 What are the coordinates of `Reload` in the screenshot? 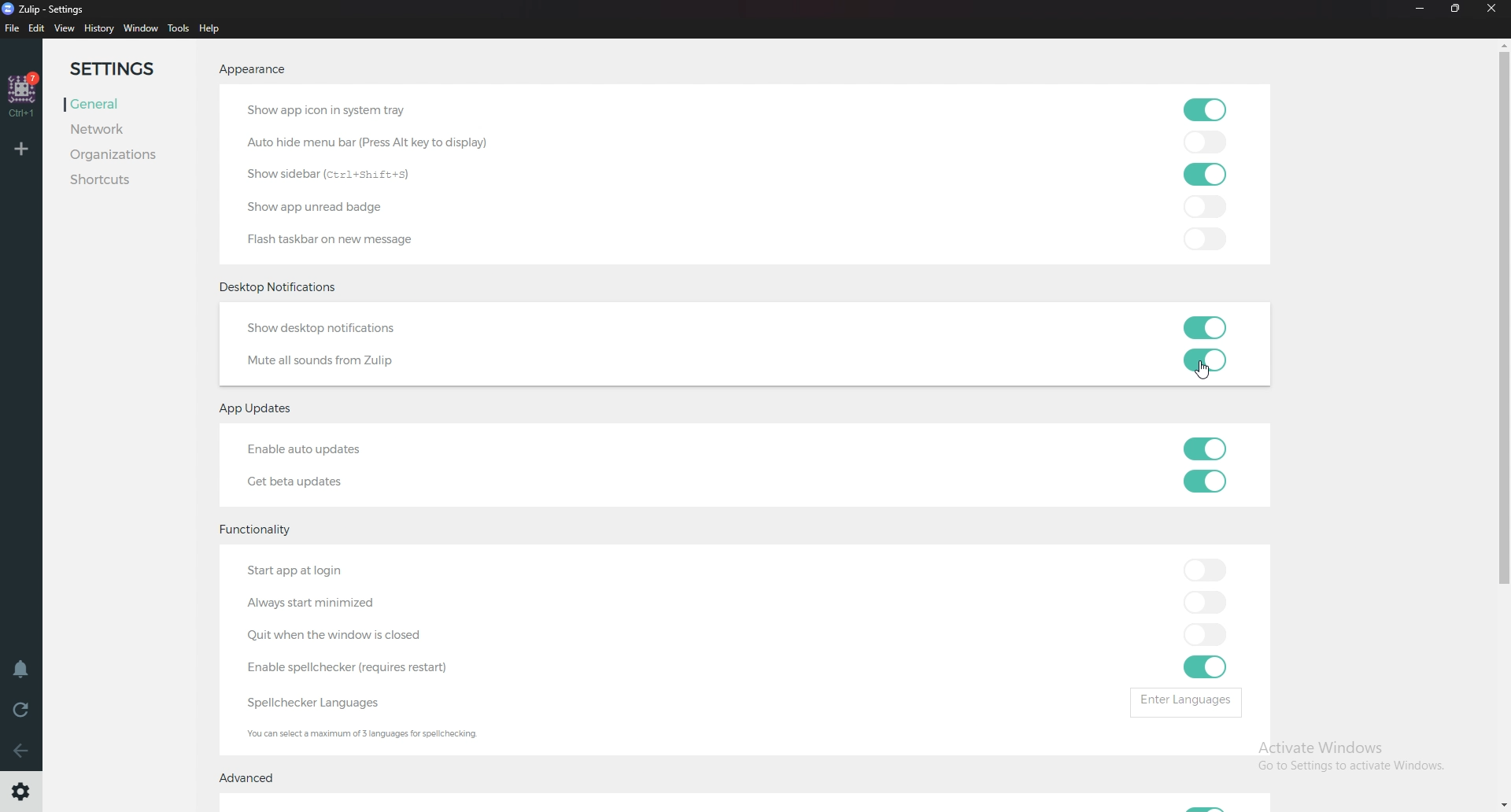 It's located at (20, 712).